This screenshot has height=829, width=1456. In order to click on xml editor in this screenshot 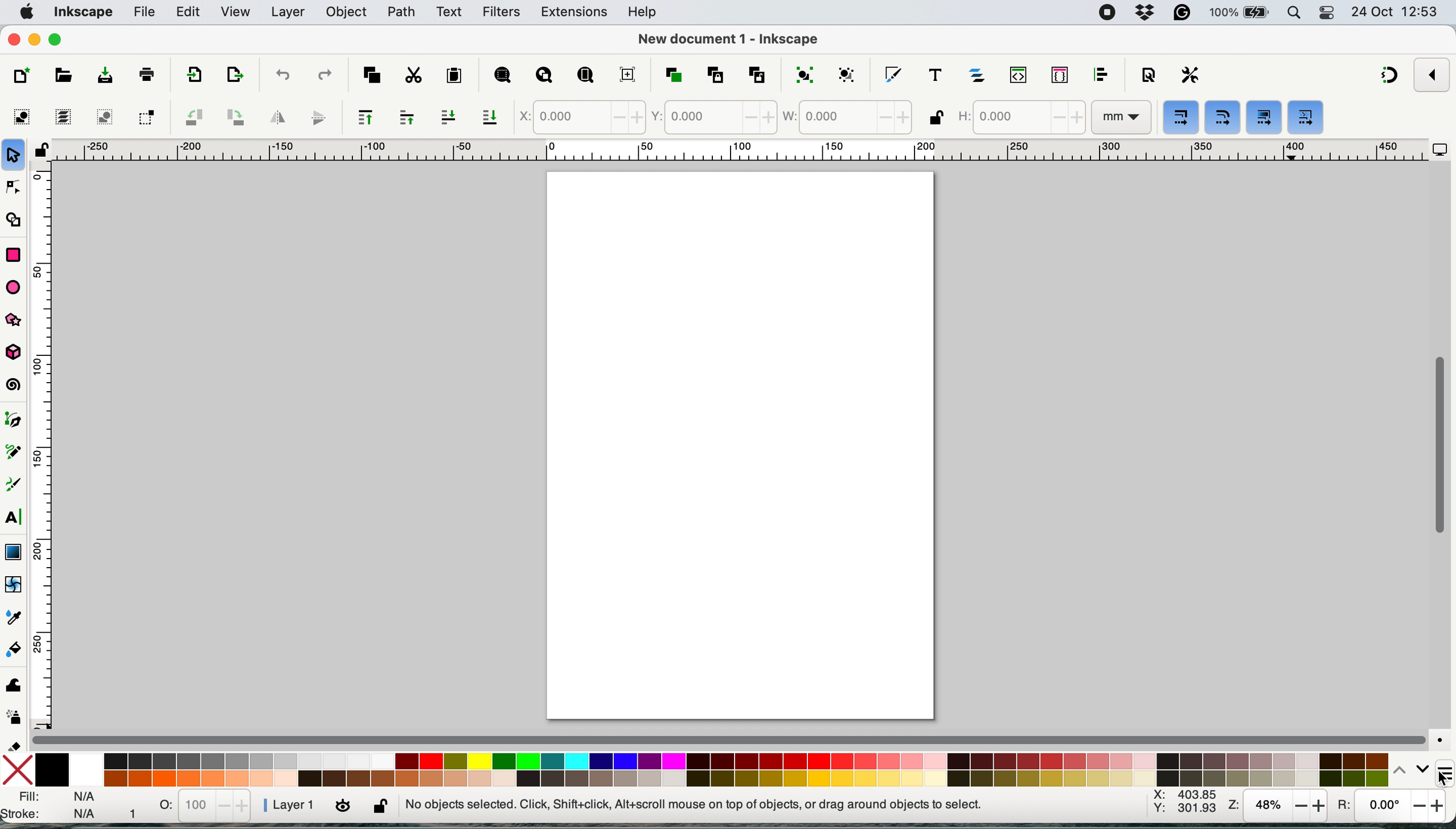, I will do `click(1023, 75)`.